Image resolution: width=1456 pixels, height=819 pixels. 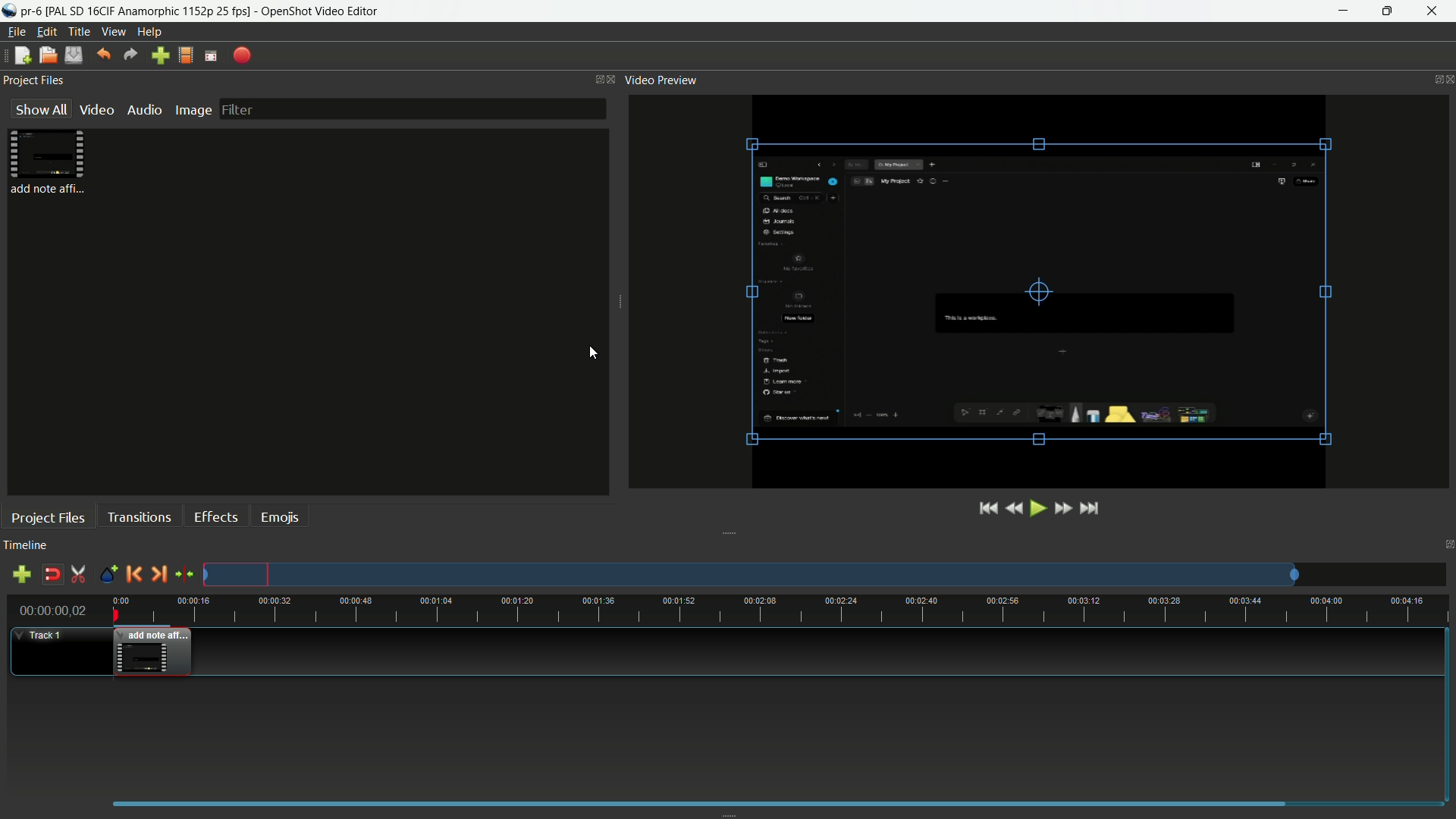 What do you see at coordinates (111, 32) in the screenshot?
I see `view menu` at bounding box center [111, 32].